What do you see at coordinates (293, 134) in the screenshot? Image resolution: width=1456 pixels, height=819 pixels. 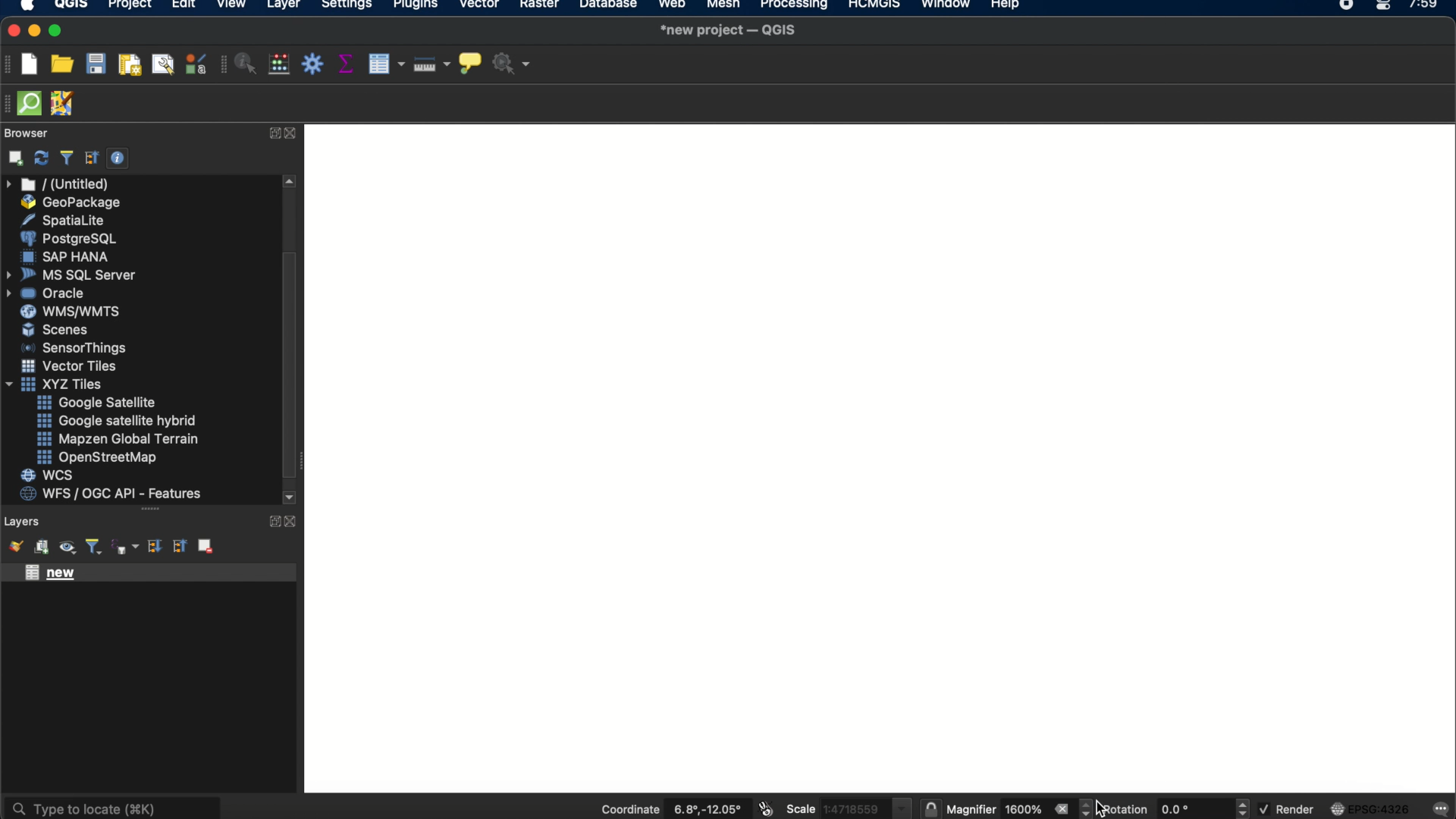 I see `contract` at bounding box center [293, 134].